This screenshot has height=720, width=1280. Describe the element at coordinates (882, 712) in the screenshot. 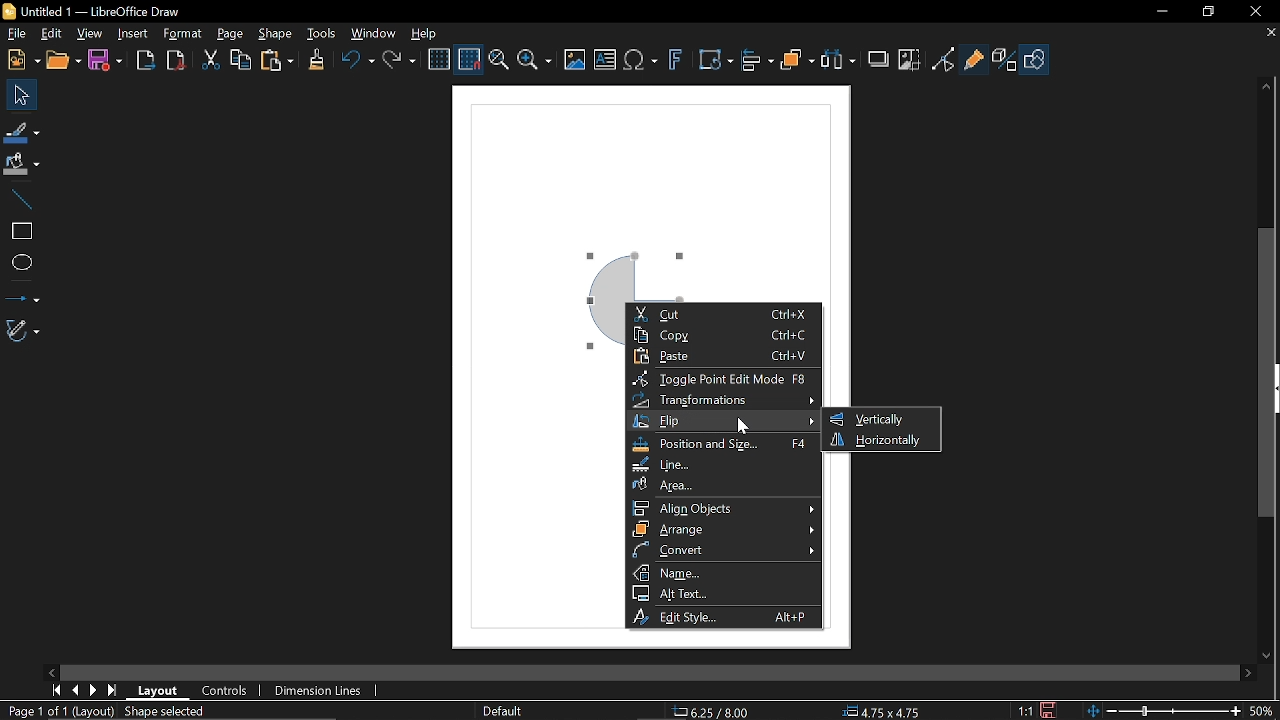

I see `4.75x4.75 (Object Size)` at that location.